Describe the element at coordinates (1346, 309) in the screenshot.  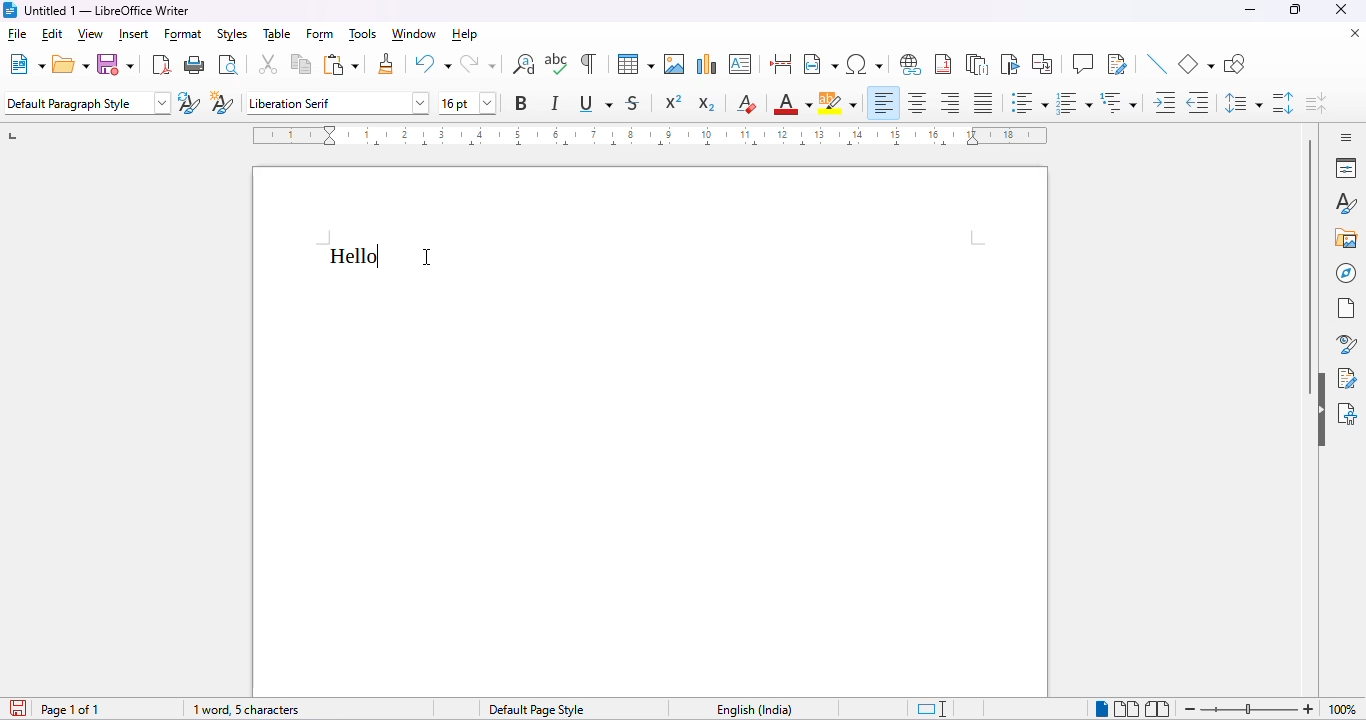
I see `page` at that location.